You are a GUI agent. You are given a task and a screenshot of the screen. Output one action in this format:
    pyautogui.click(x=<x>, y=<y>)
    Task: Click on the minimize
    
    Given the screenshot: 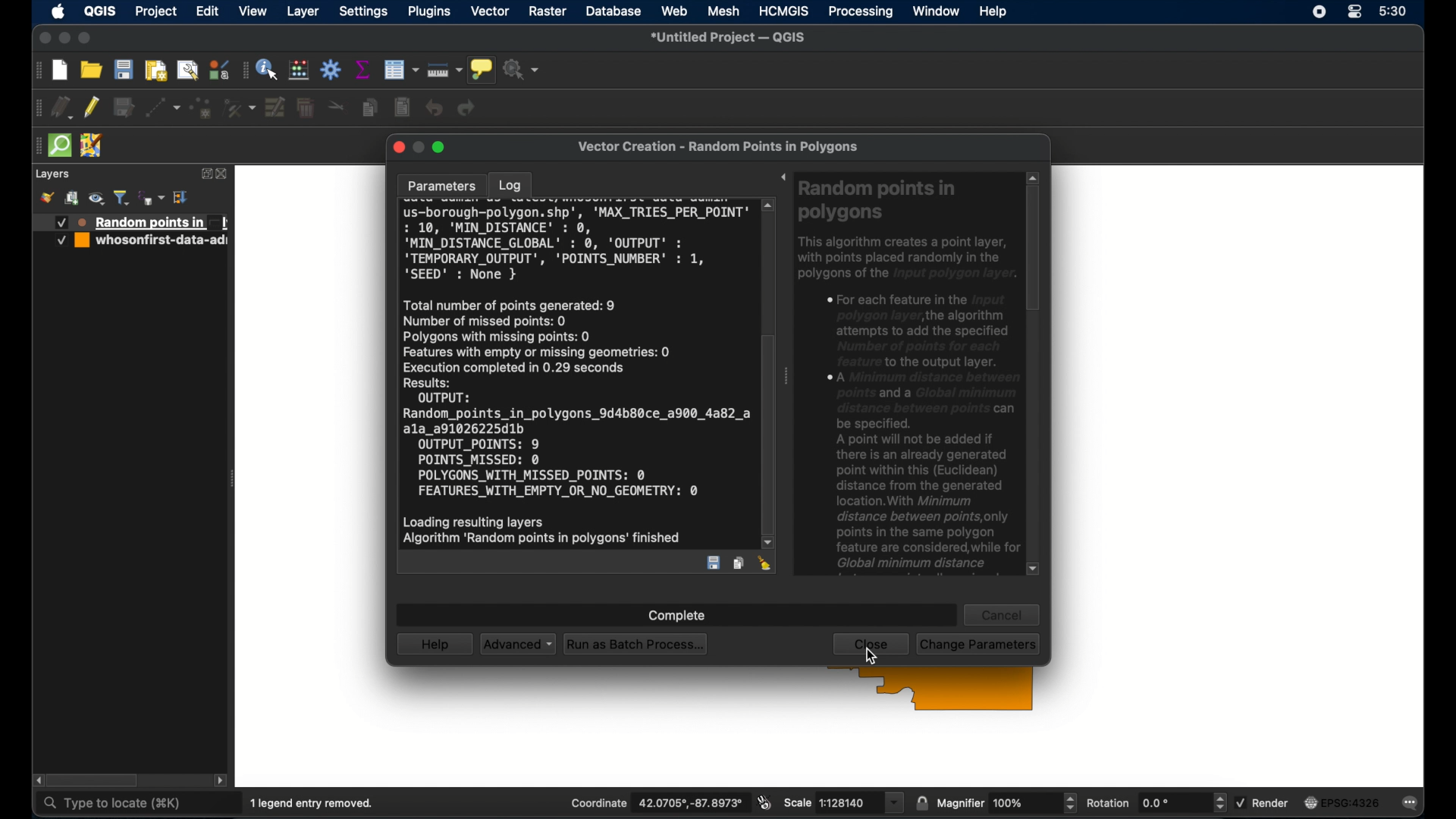 What is the action you would take?
    pyautogui.click(x=65, y=38)
    